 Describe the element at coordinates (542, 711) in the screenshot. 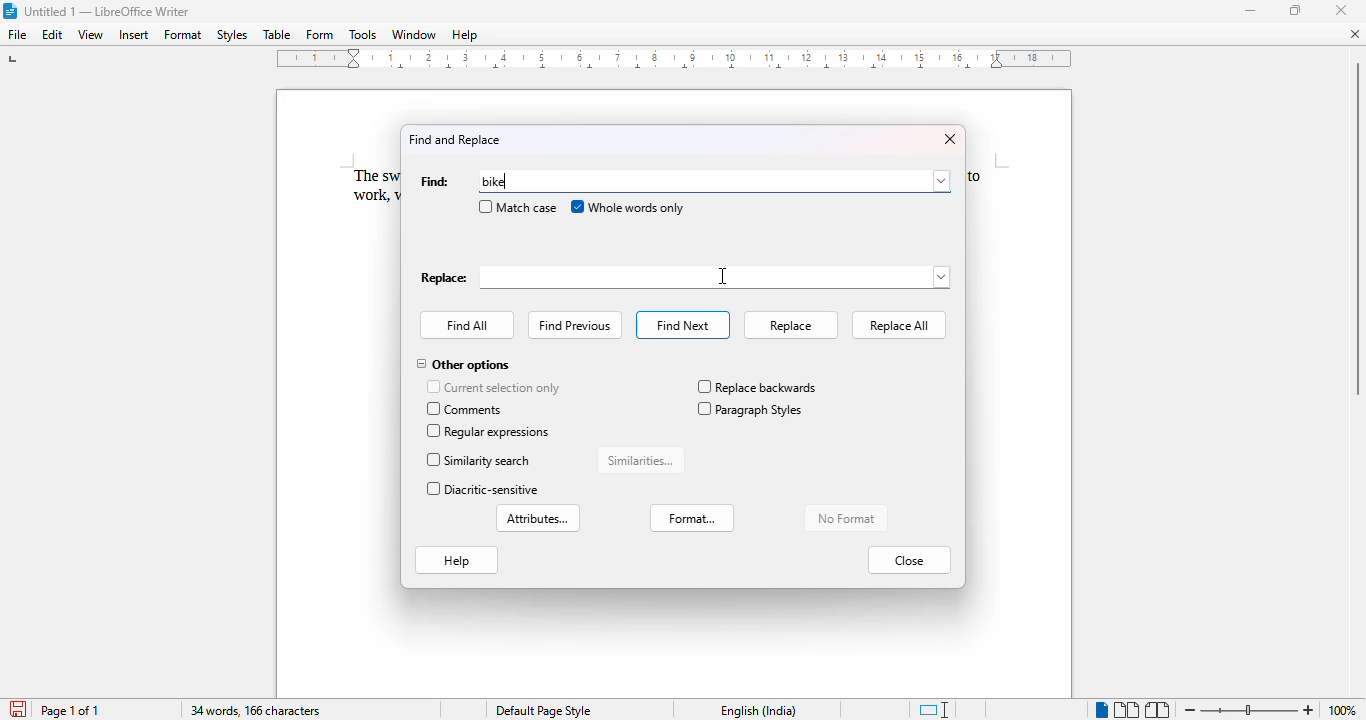

I see `Default page style` at that location.